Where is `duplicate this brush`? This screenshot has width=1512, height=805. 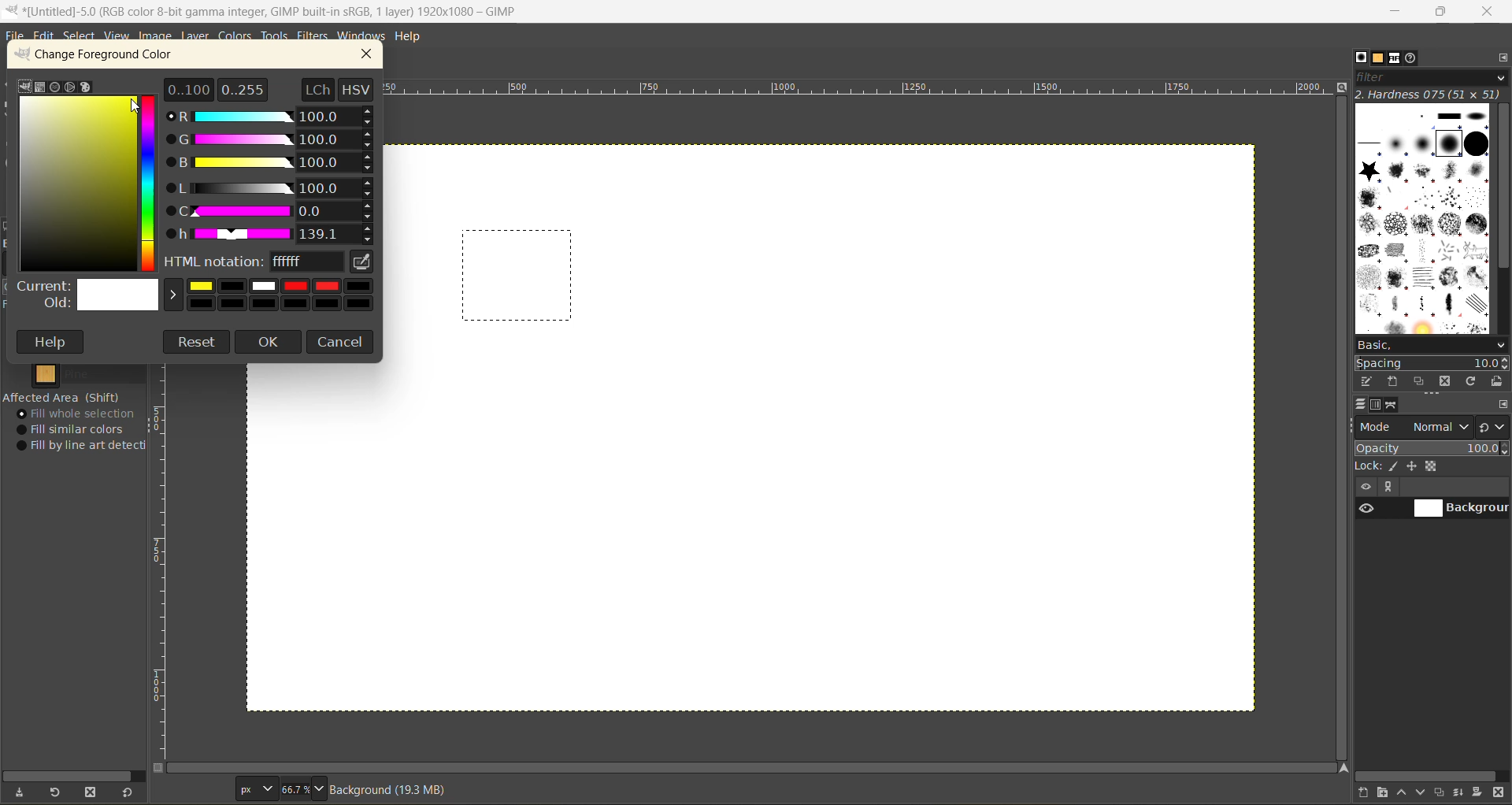
duplicate this brush is located at coordinates (1421, 381).